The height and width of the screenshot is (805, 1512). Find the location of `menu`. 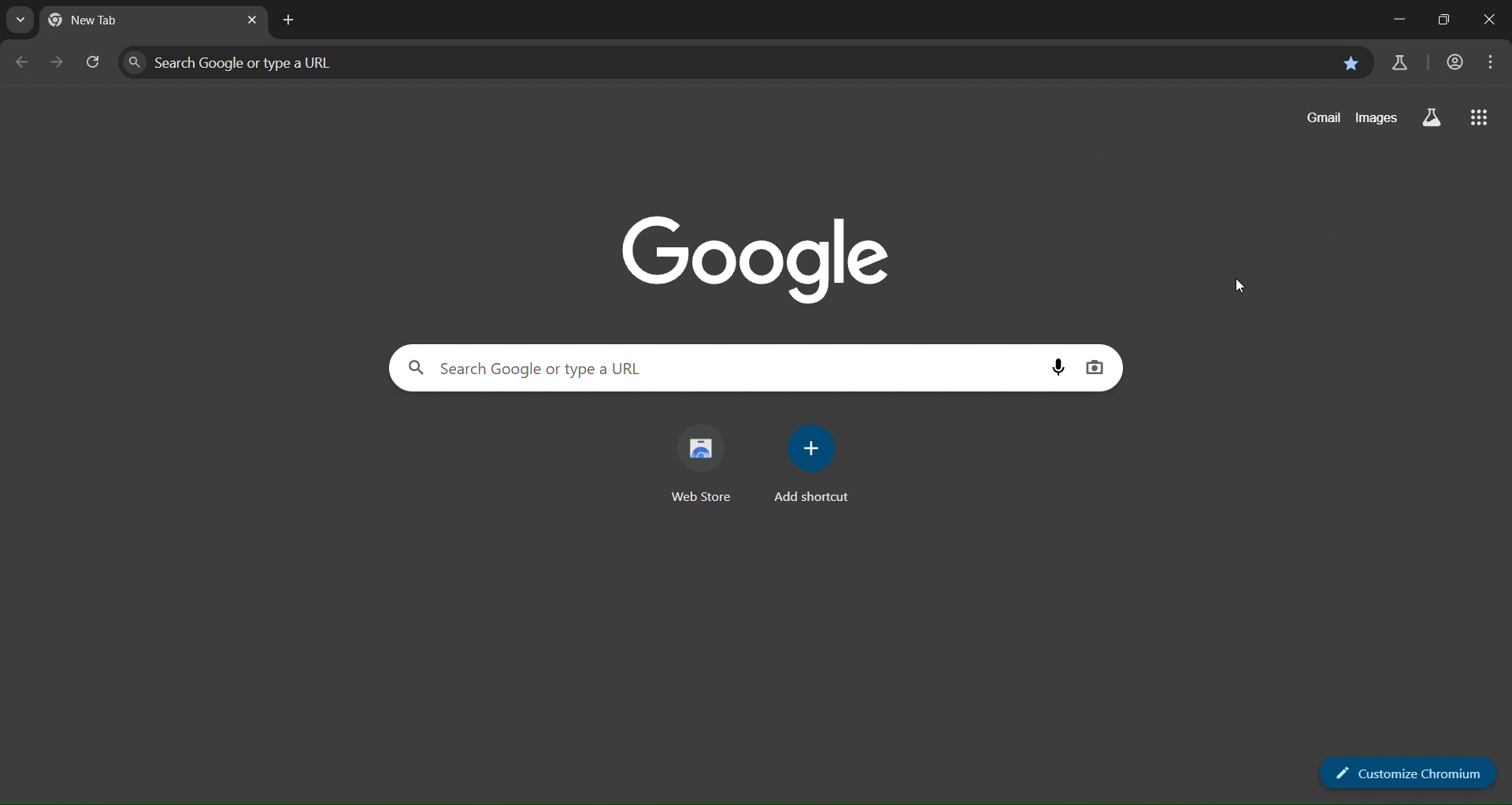

menu is located at coordinates (1490, 63).